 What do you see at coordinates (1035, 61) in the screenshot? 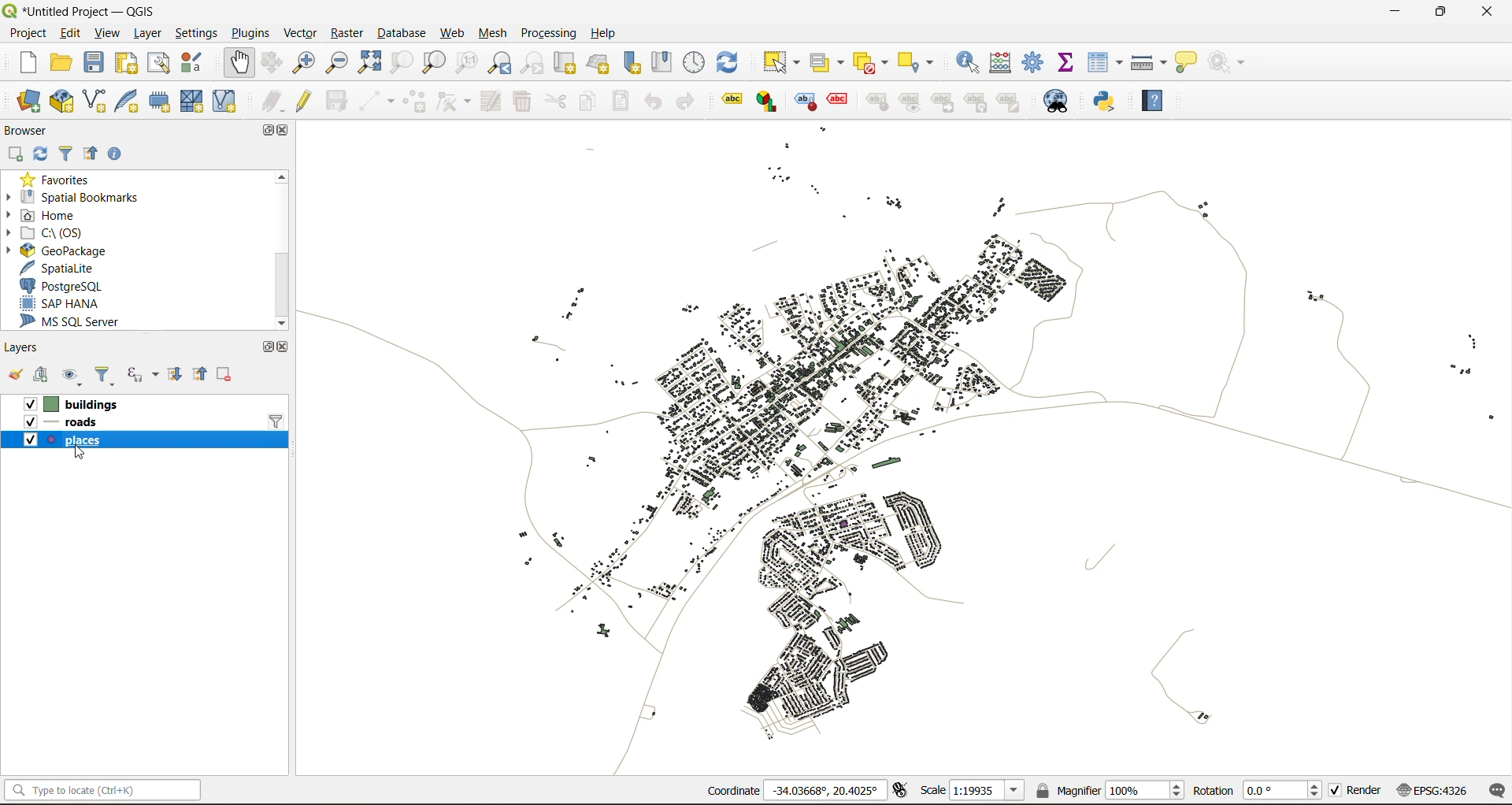
I see `toolbox` at bounding box center [1035, 61].